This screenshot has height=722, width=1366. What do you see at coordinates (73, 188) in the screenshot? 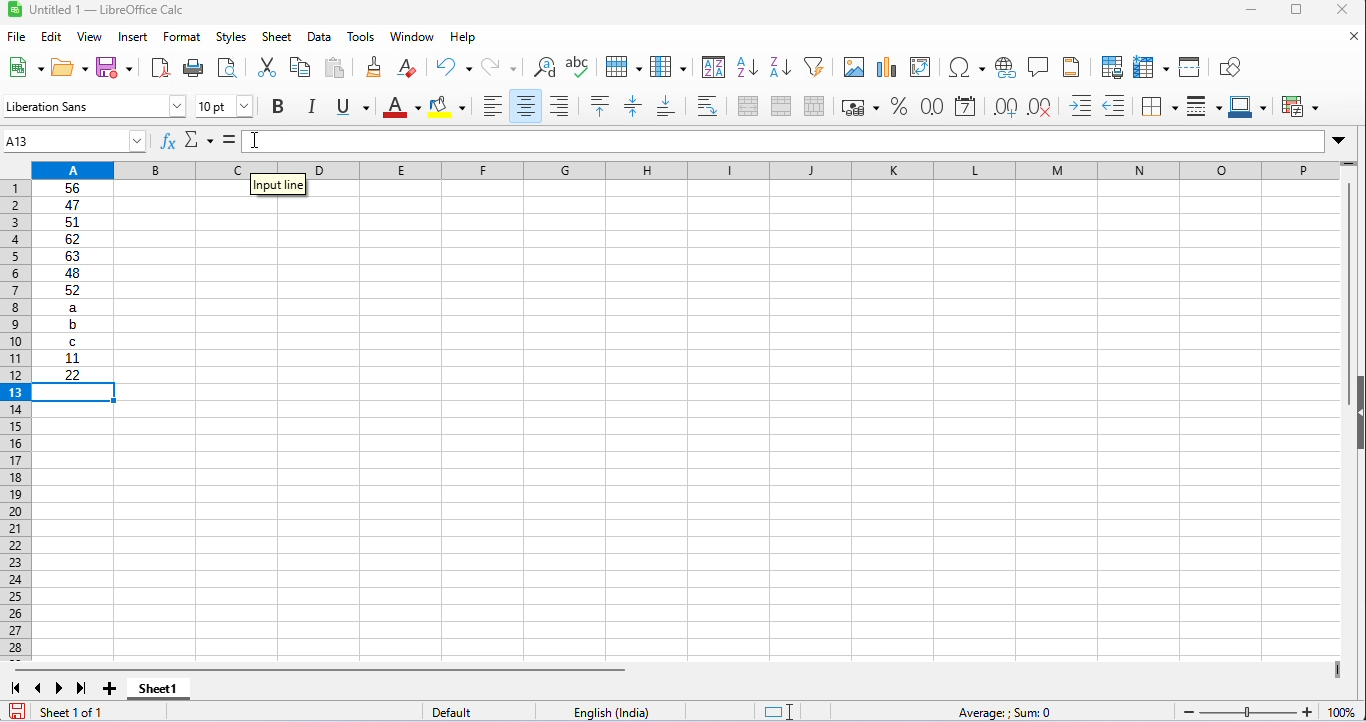
I see `56` at bounding box center [73, 188].